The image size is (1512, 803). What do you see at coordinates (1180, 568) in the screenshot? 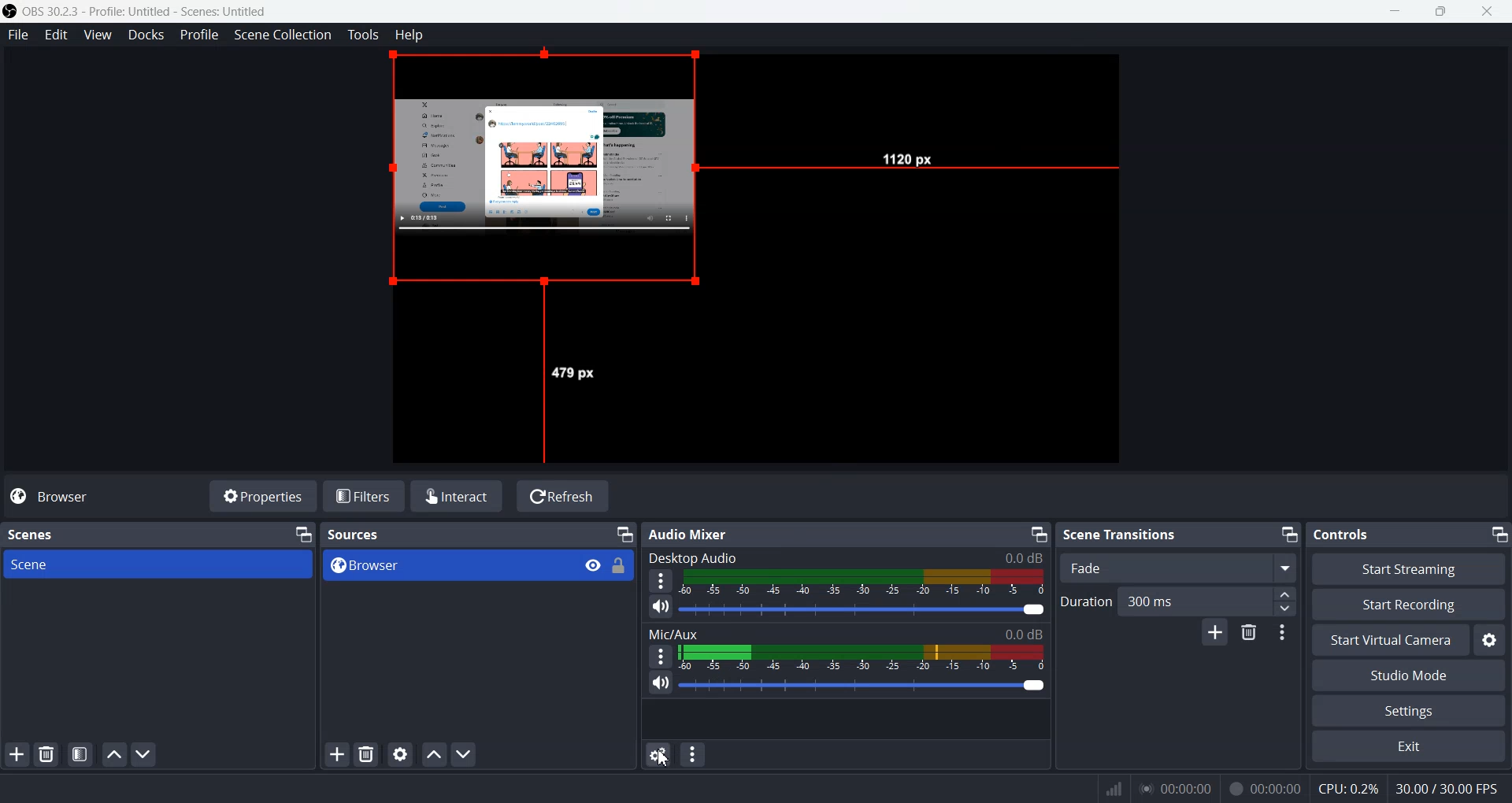
I see `Fade` at bounding box center [1180, 568].